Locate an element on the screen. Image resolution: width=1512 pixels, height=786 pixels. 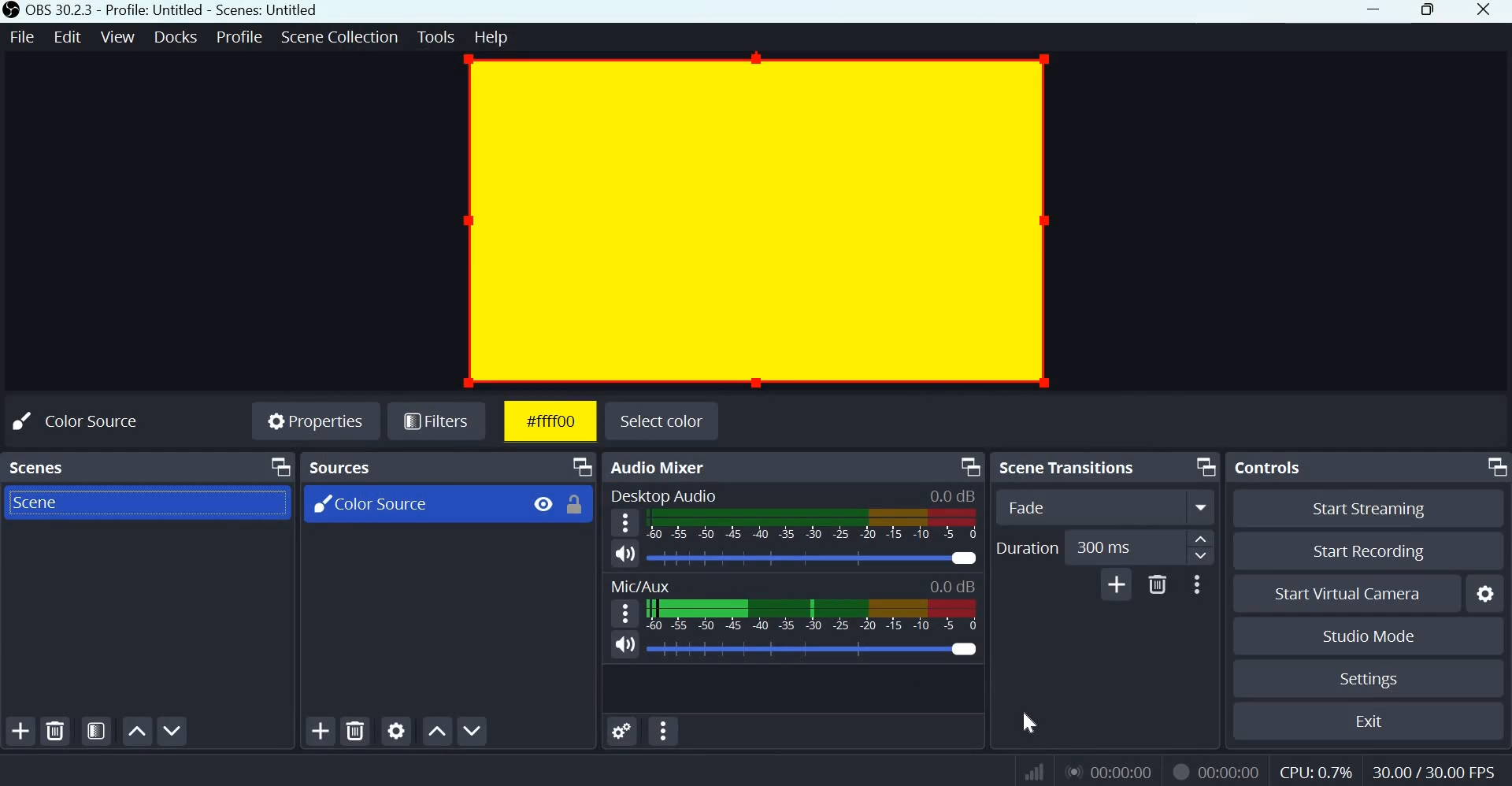
Dock Options icon is located at coordinates (967, 465).